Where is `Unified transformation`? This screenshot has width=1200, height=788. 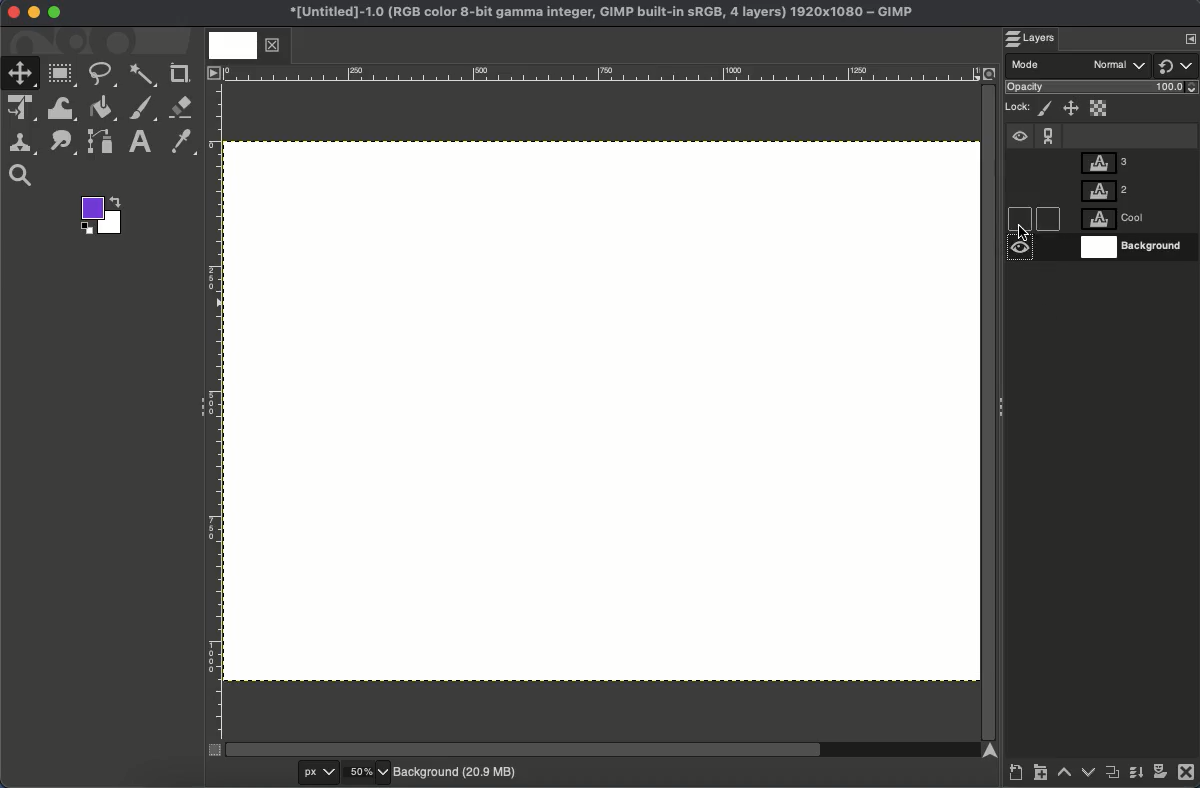 Unified transformation is located at coordinates (24, 109).